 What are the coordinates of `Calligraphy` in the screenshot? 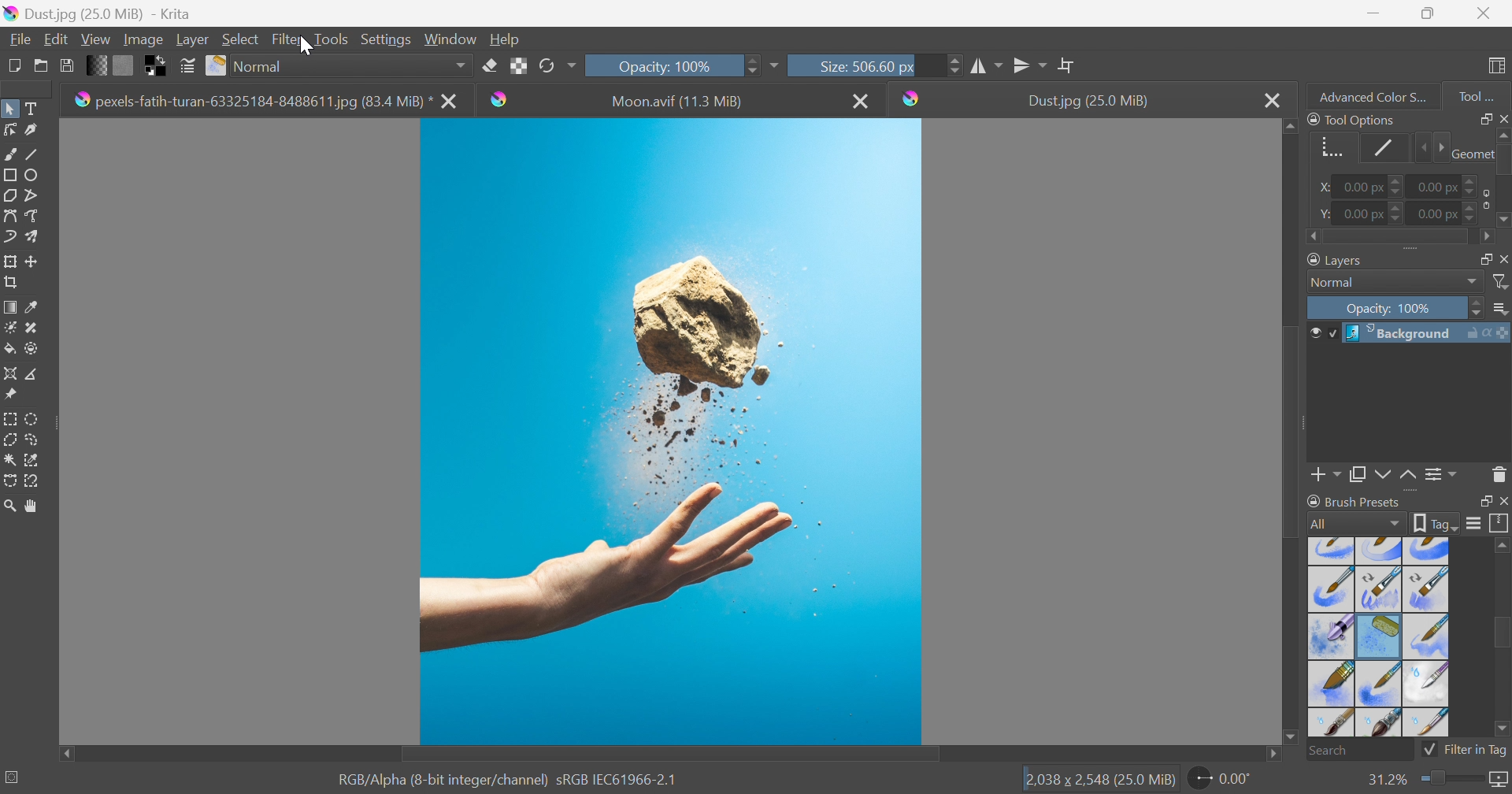 It's located at (36, 131).